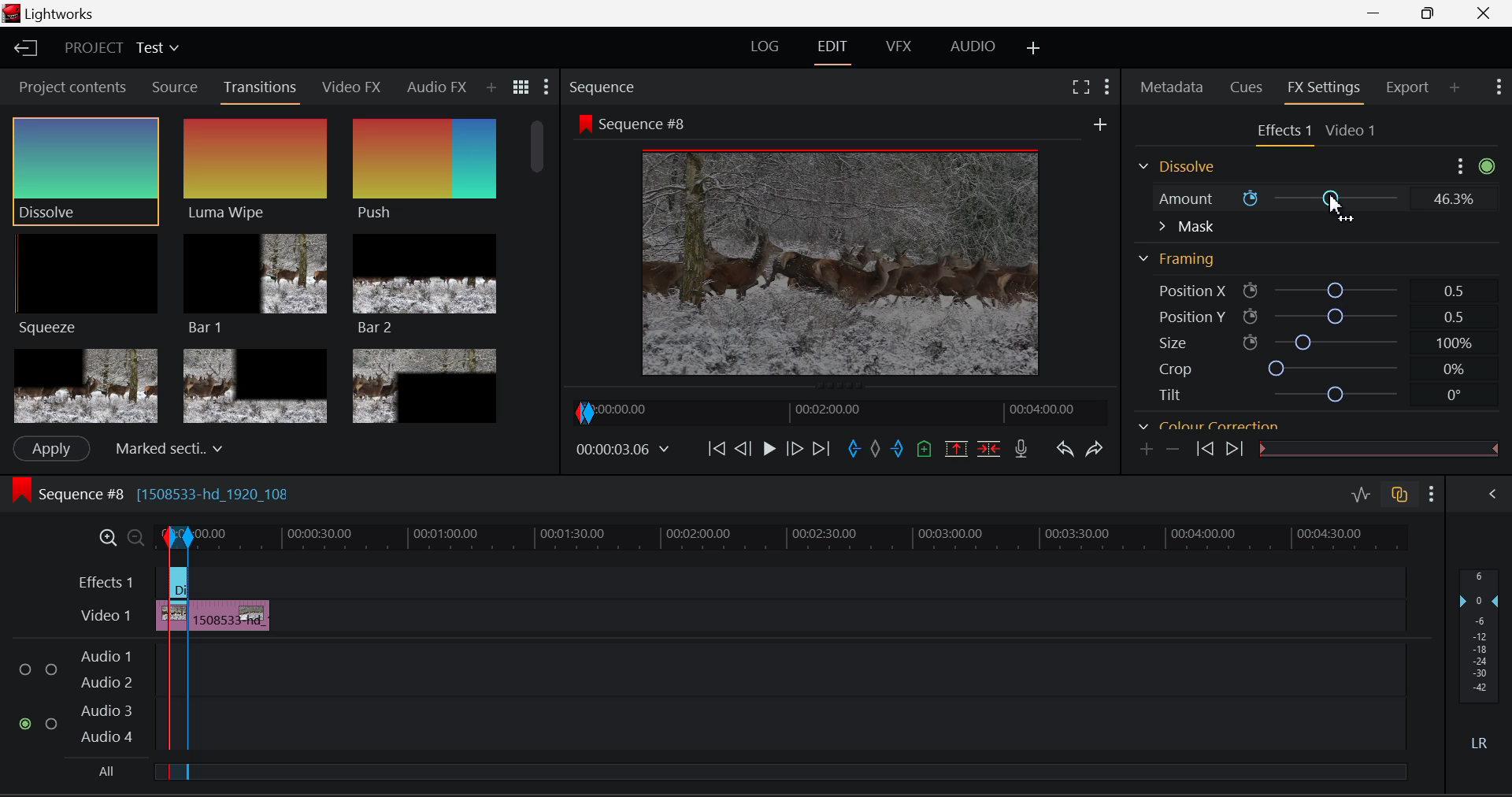 This screenshot has height=797, width=1512. What do you see at coordinates (102, 771) in the screenshot?
I see `All` at bounding box center [102, 771].